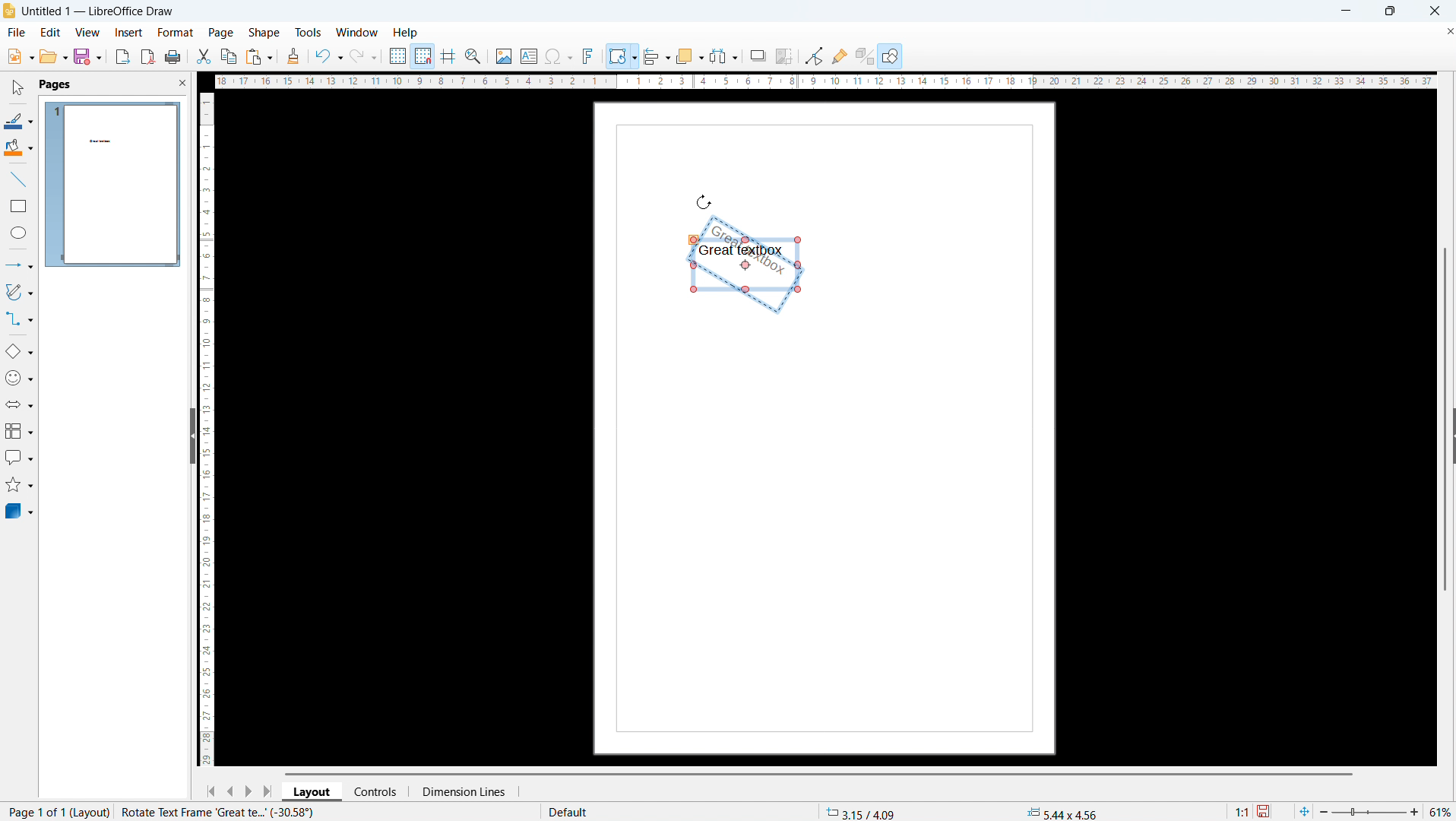 The height and width of the screenshot is (821, 1456). I want to click on layout, so click(313, 791).